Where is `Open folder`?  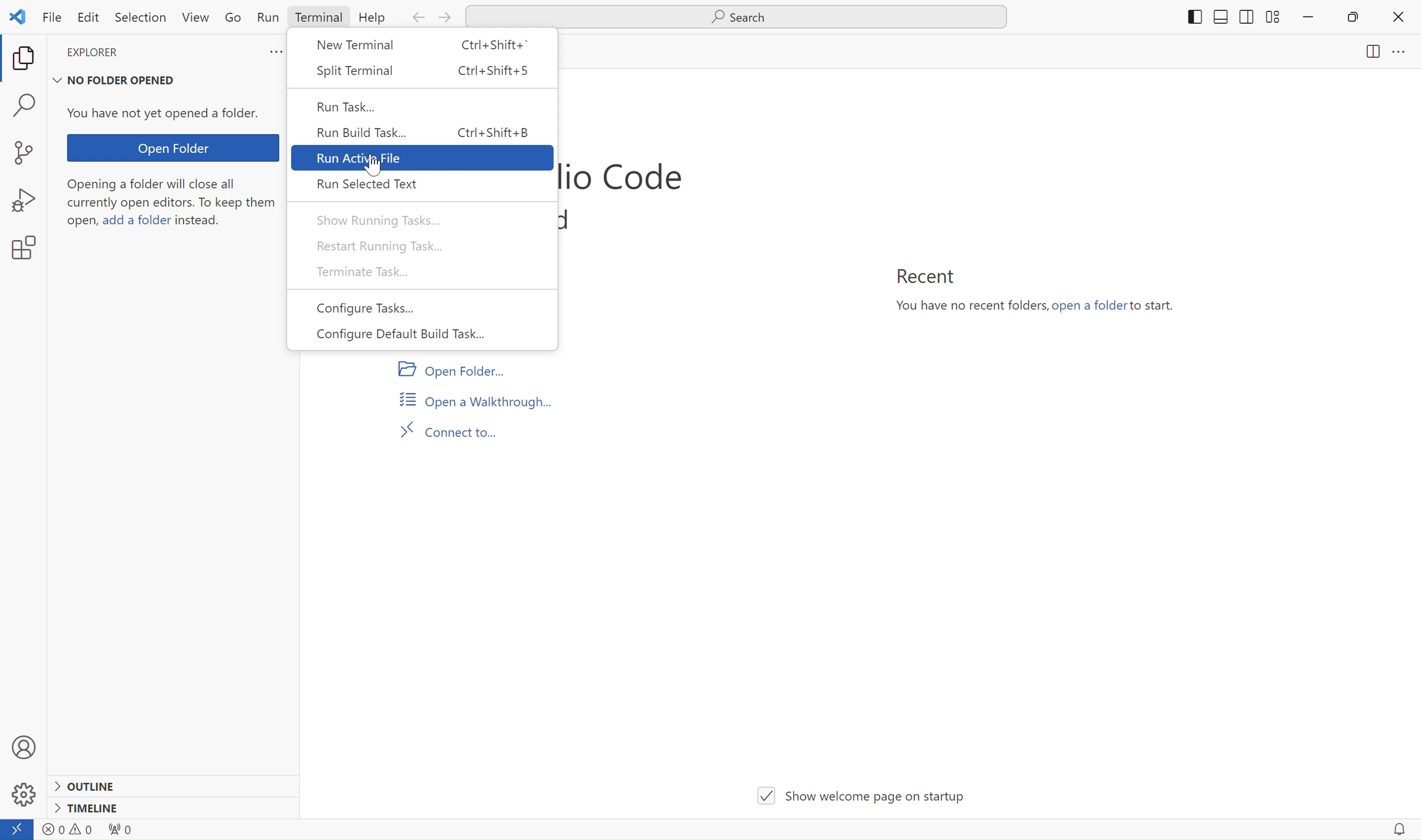 Open folder is located at coordinates (449, 369).